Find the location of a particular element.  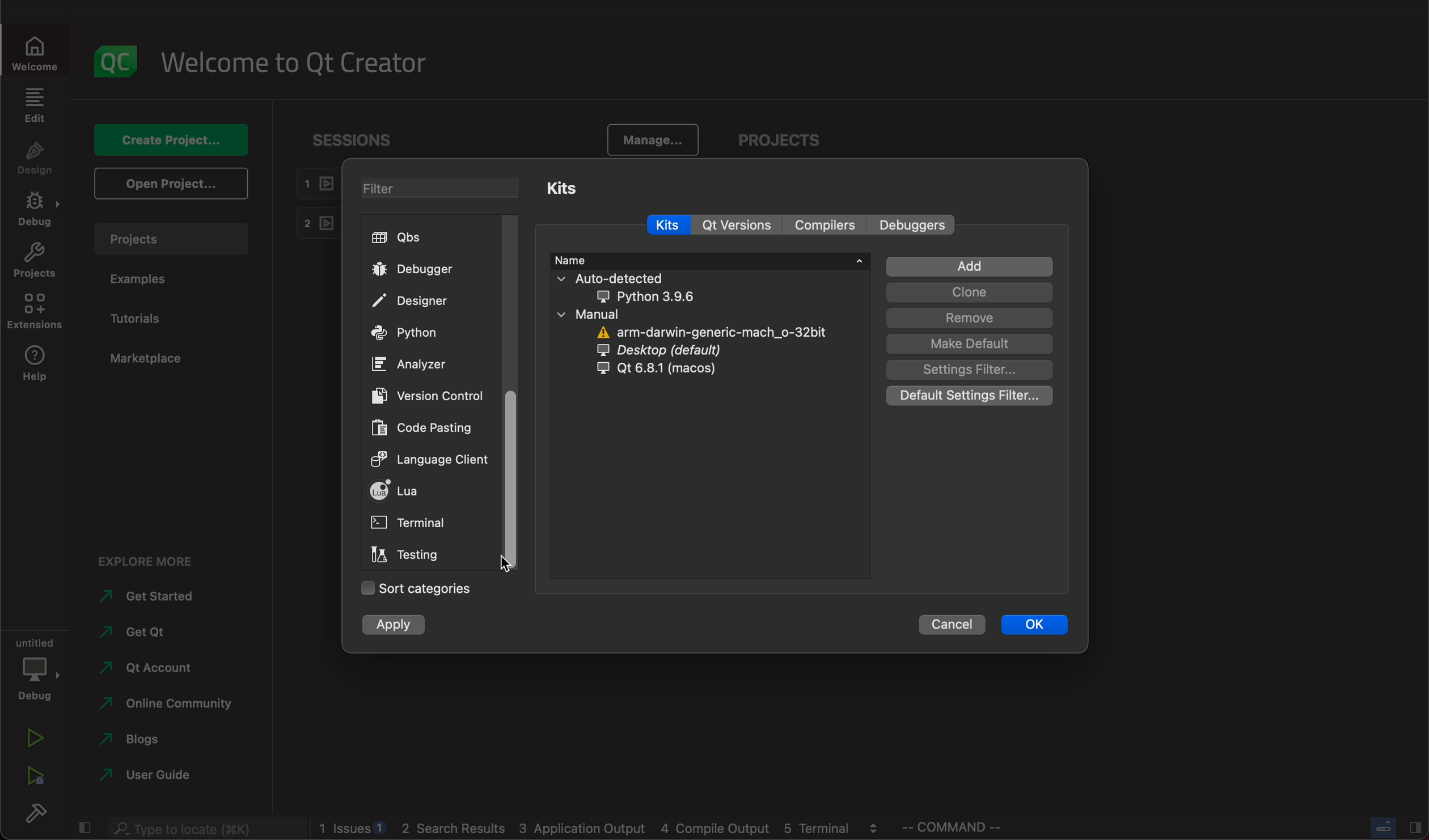

guide is located at coordinates (146, 777).